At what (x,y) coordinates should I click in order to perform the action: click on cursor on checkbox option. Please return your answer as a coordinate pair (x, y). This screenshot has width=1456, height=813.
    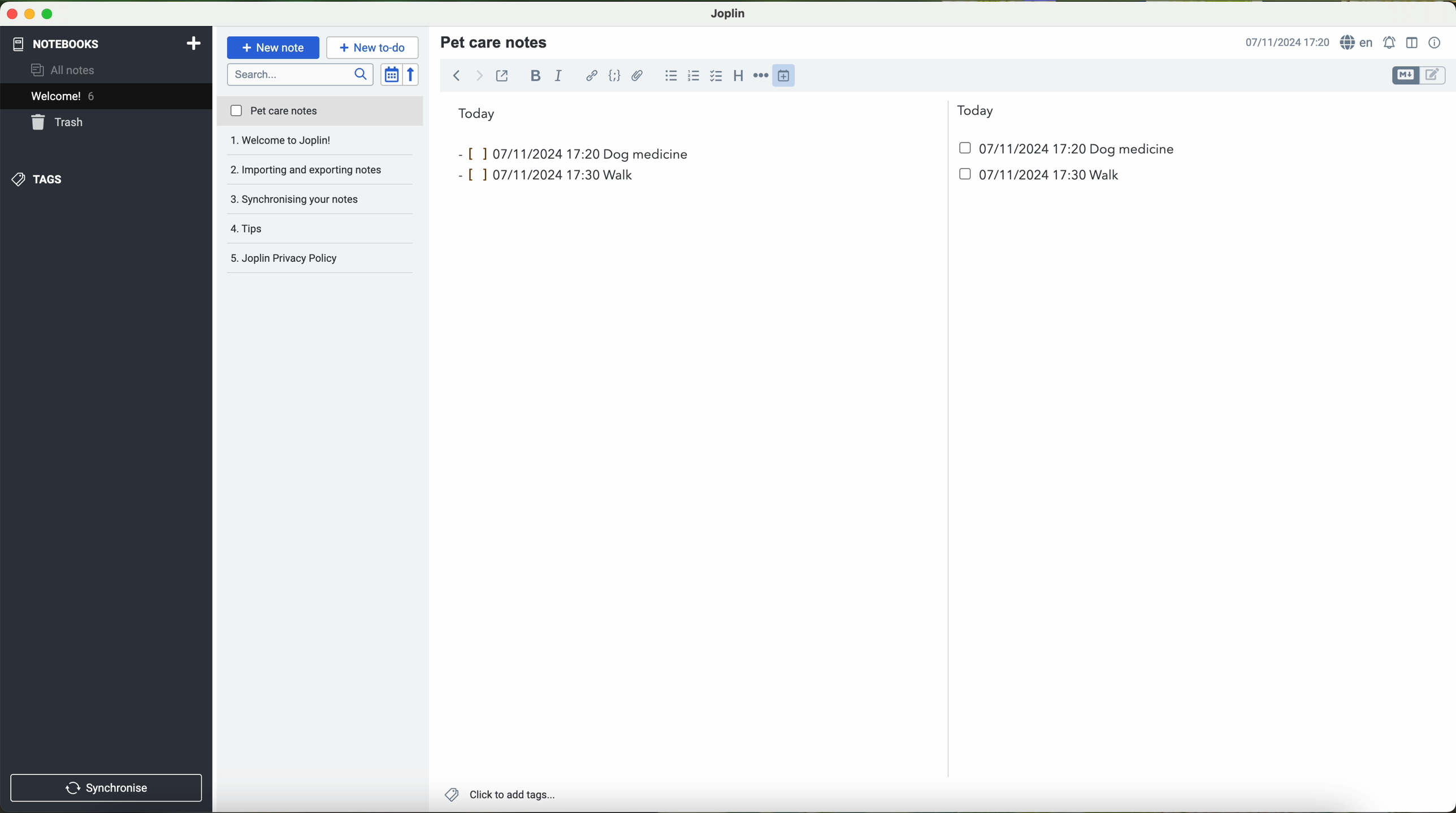
    Looking at the image, I should click on (718, 76).